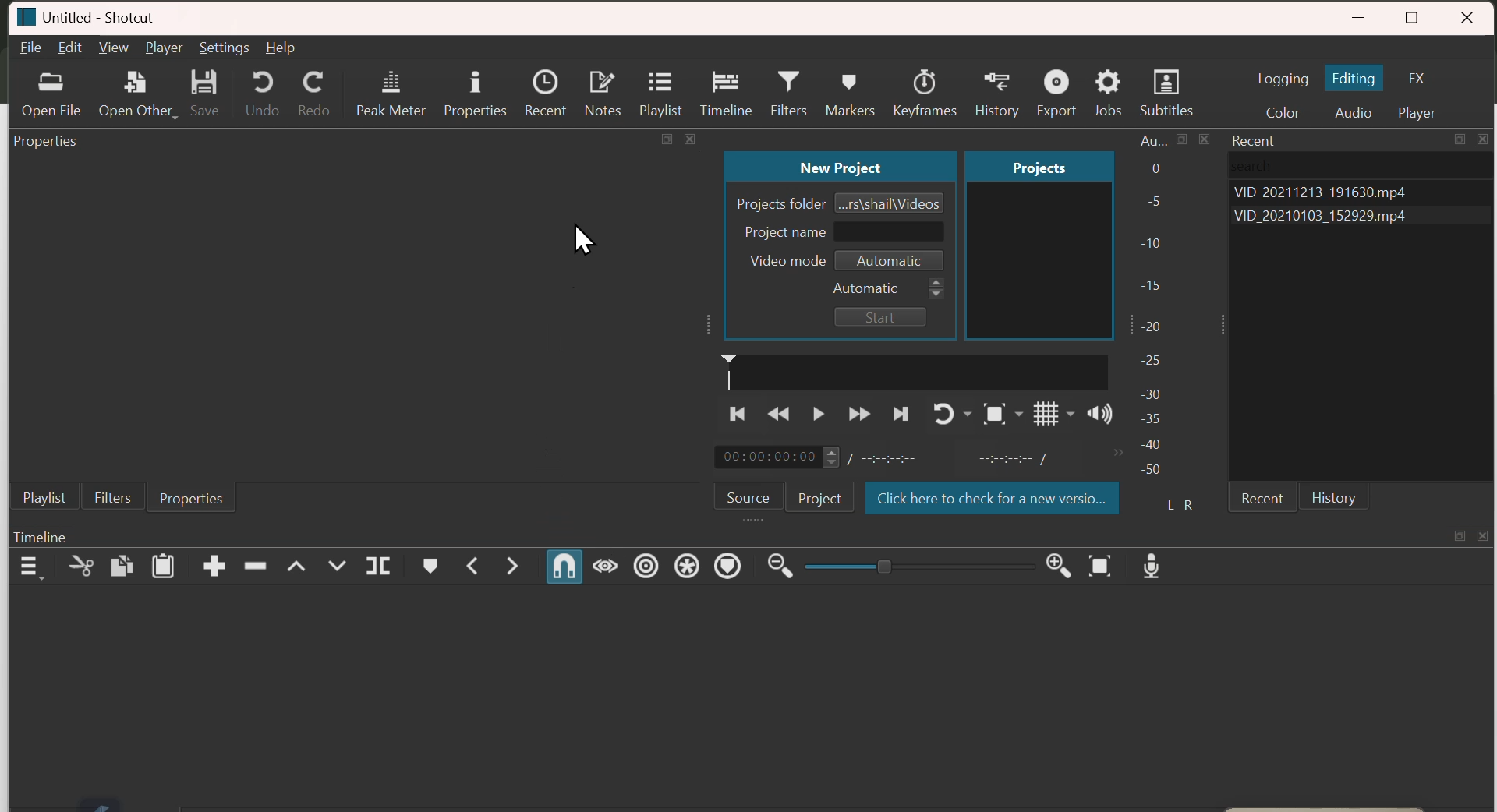 Image resolution: width=1497 pixels, height=812 pixels. What do you see at coordinates (1361, 13) in the screenshot?
I see `minimize` at bounding box center [1361, 13].